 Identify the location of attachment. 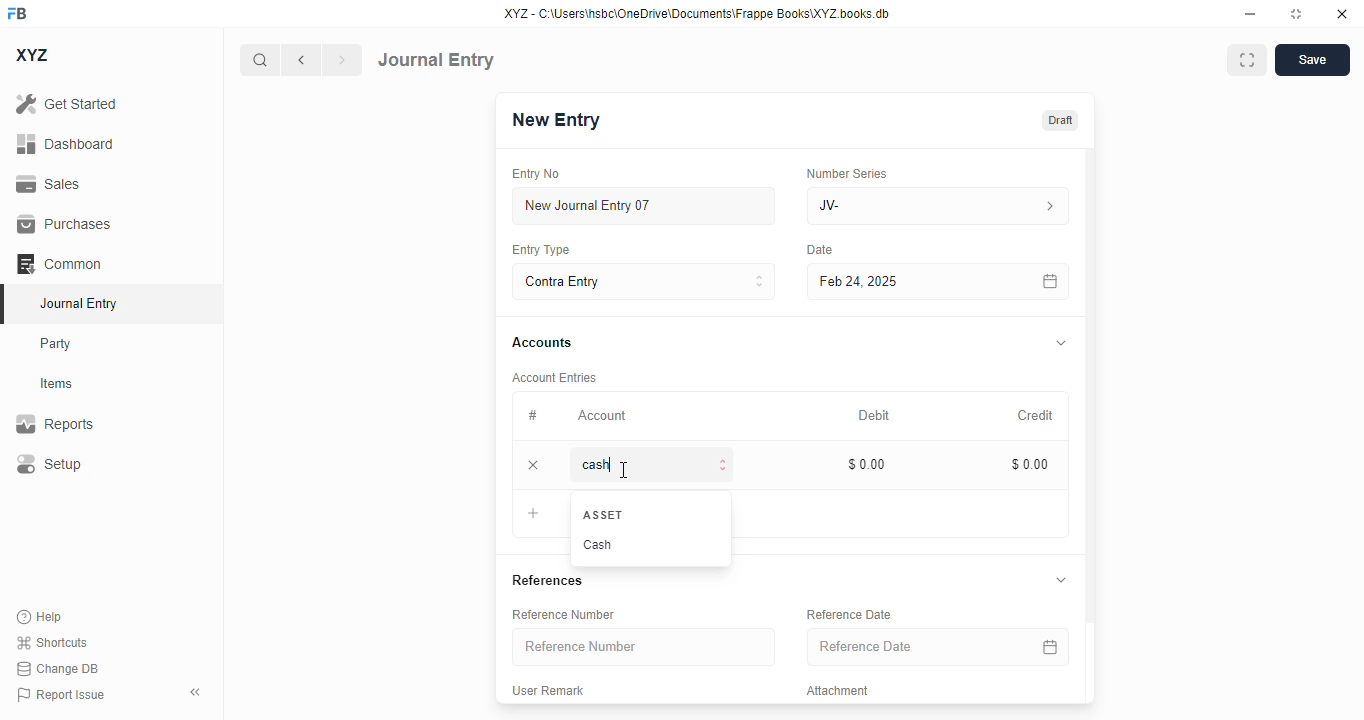
(840, 691).